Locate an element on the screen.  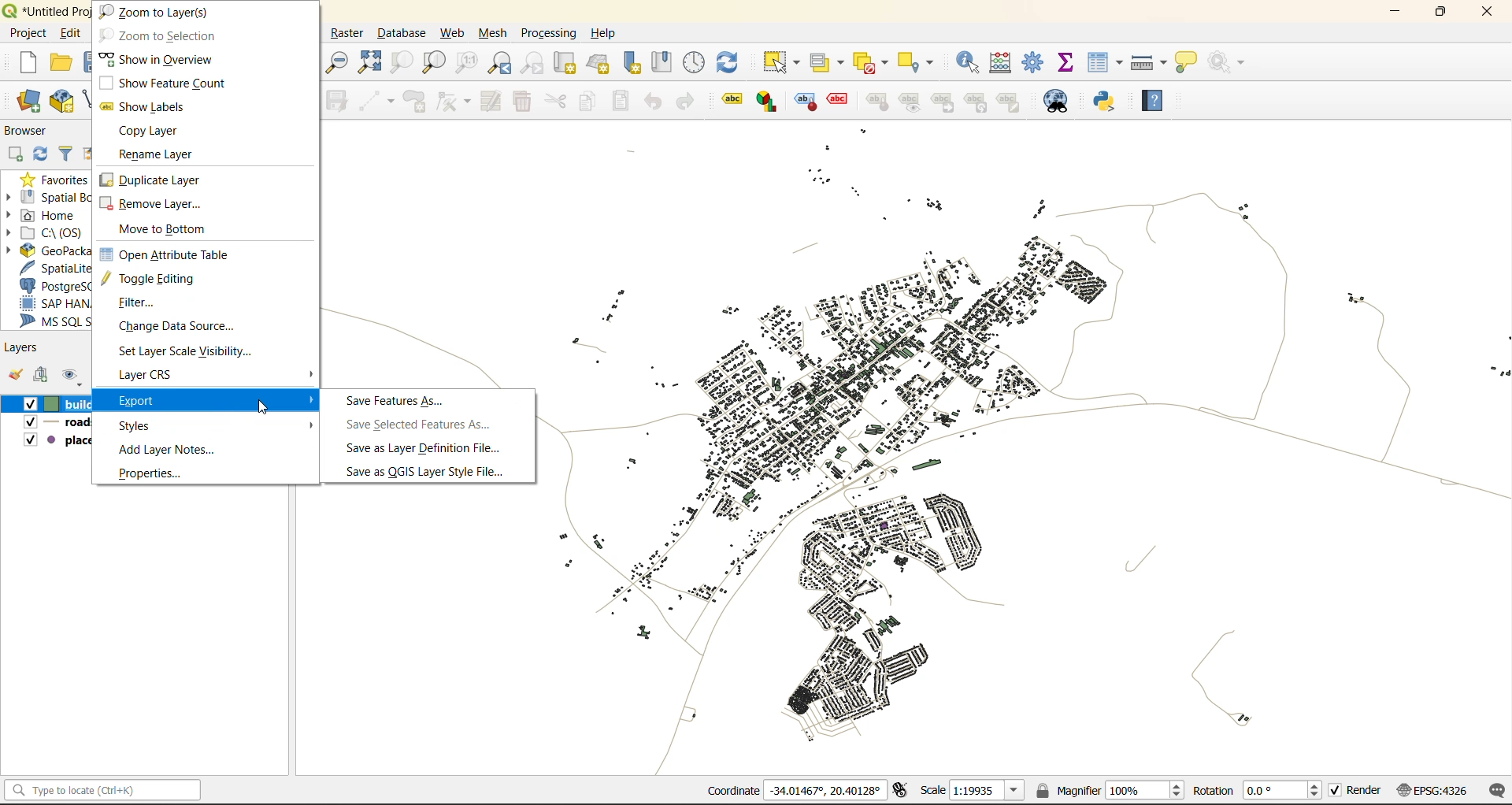
properties is located at coordinates (146, 476).